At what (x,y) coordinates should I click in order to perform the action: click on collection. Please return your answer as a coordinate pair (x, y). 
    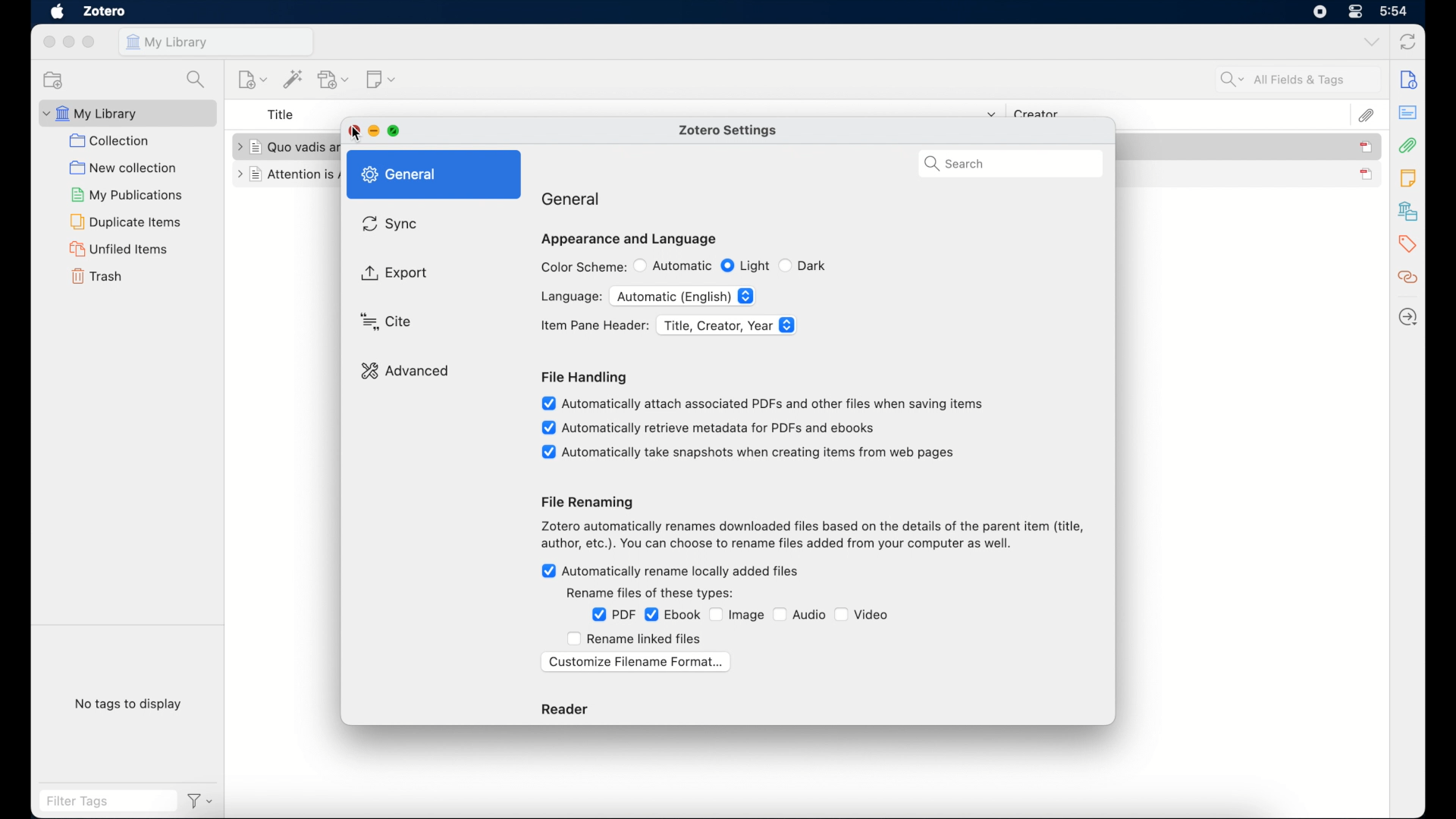
    Looking at the image, I should click on (111, 141).